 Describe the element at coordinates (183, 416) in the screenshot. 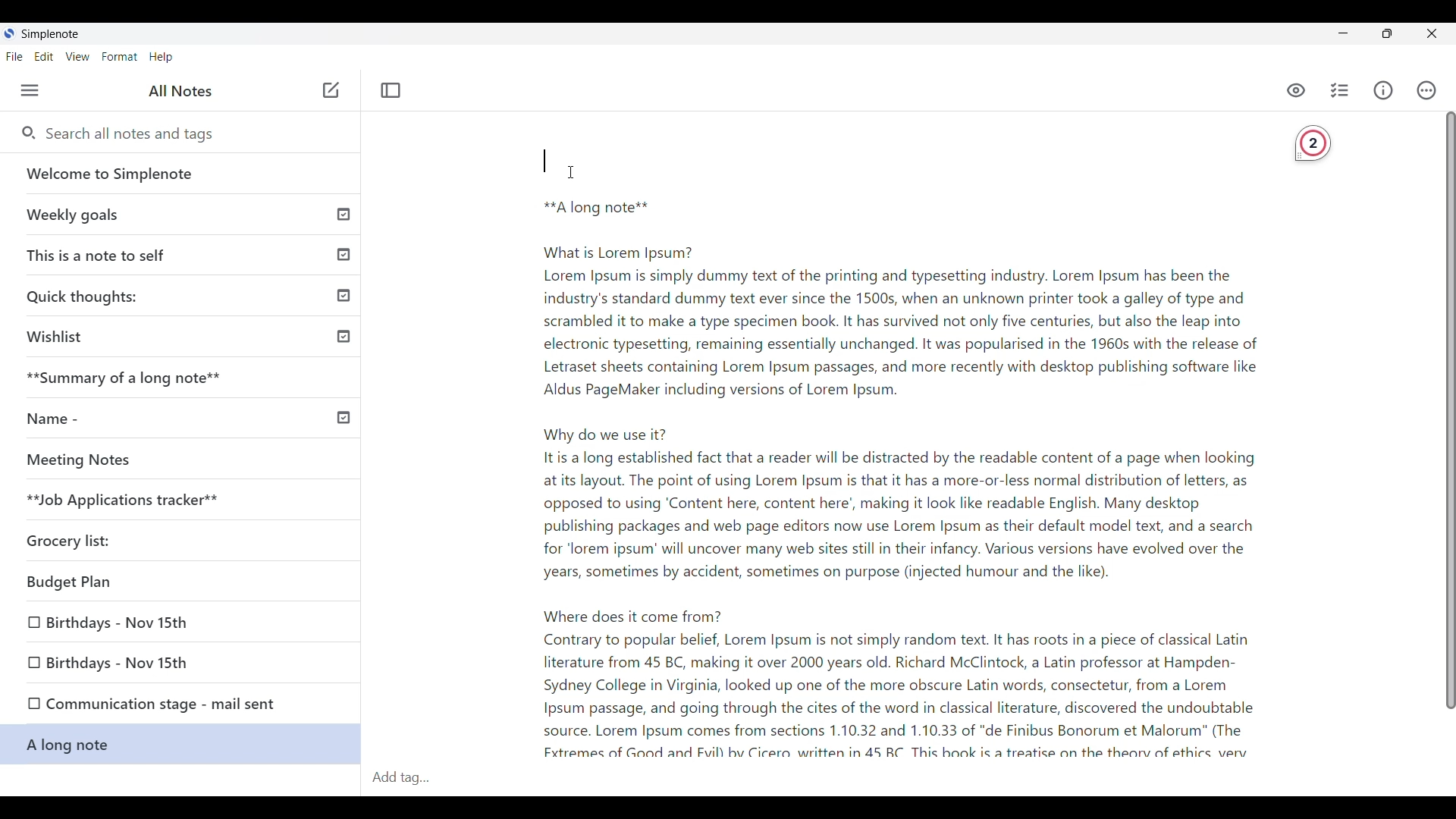

I see `Name` at that location.